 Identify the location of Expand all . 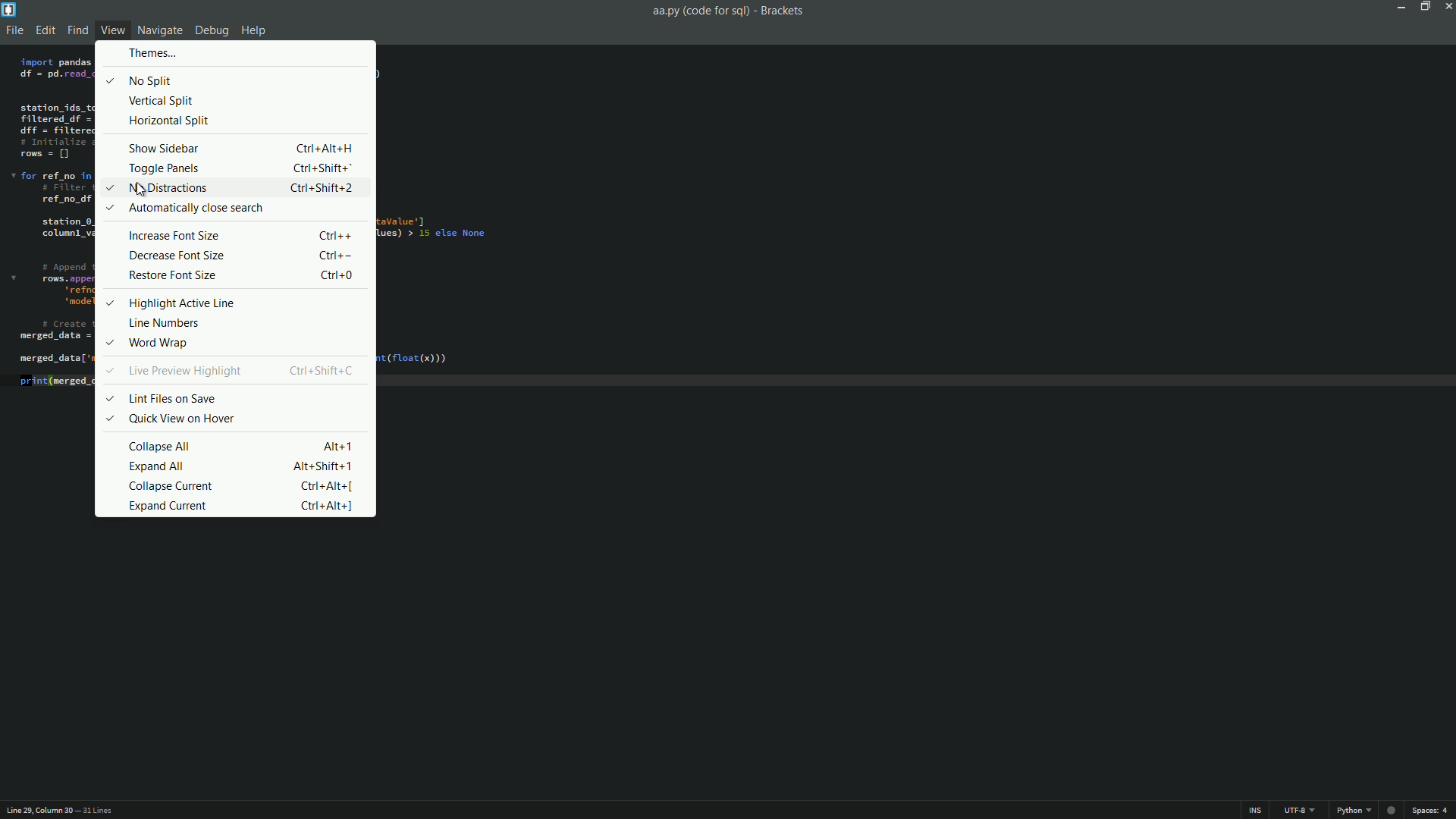
(240, 466).